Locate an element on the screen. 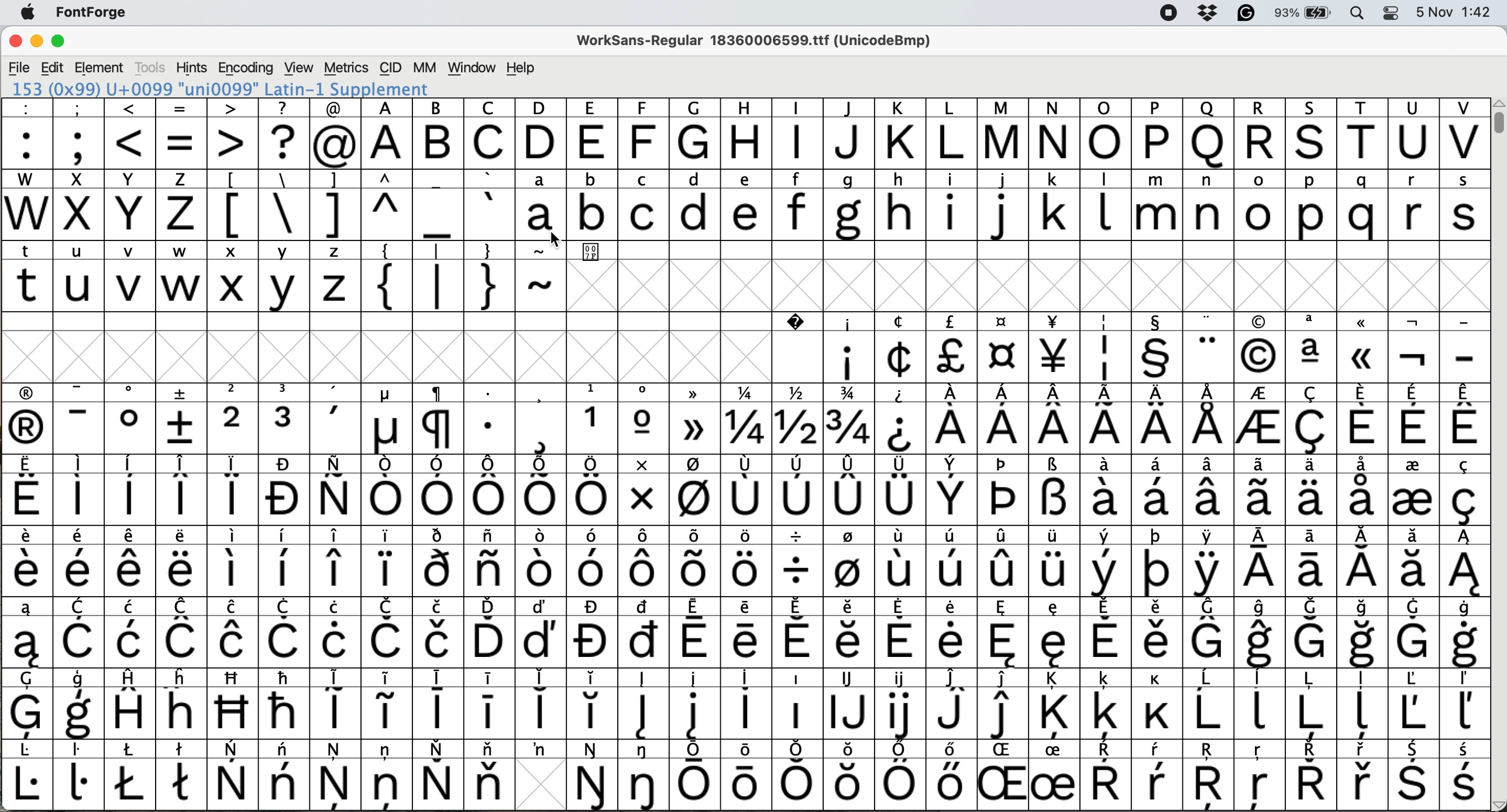 The image size is (1507, 812). symbol is located at coordinates (387, 702).